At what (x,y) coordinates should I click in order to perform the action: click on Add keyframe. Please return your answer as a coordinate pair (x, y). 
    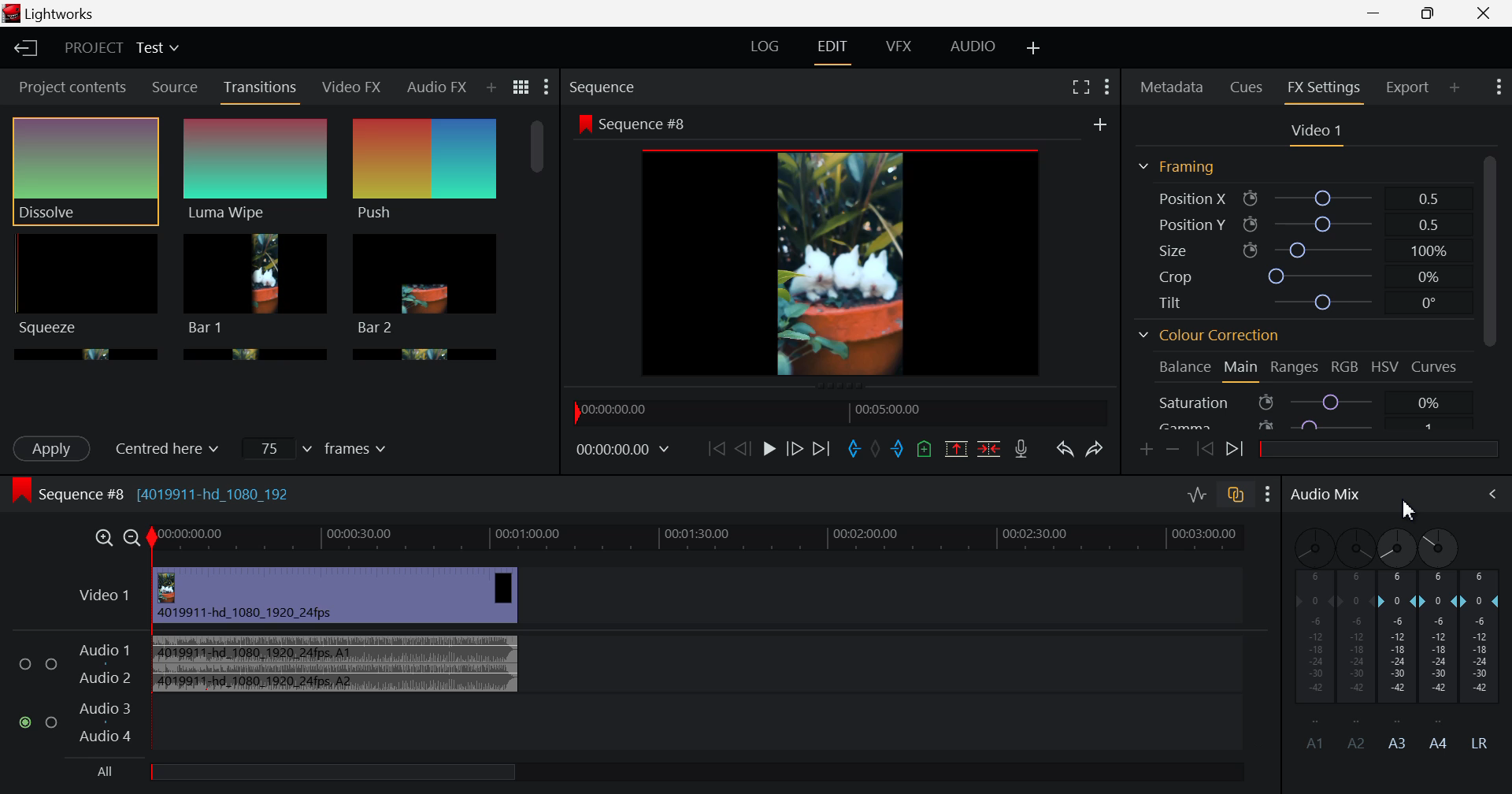
    Looking at the image, I should click on (1143, 451).